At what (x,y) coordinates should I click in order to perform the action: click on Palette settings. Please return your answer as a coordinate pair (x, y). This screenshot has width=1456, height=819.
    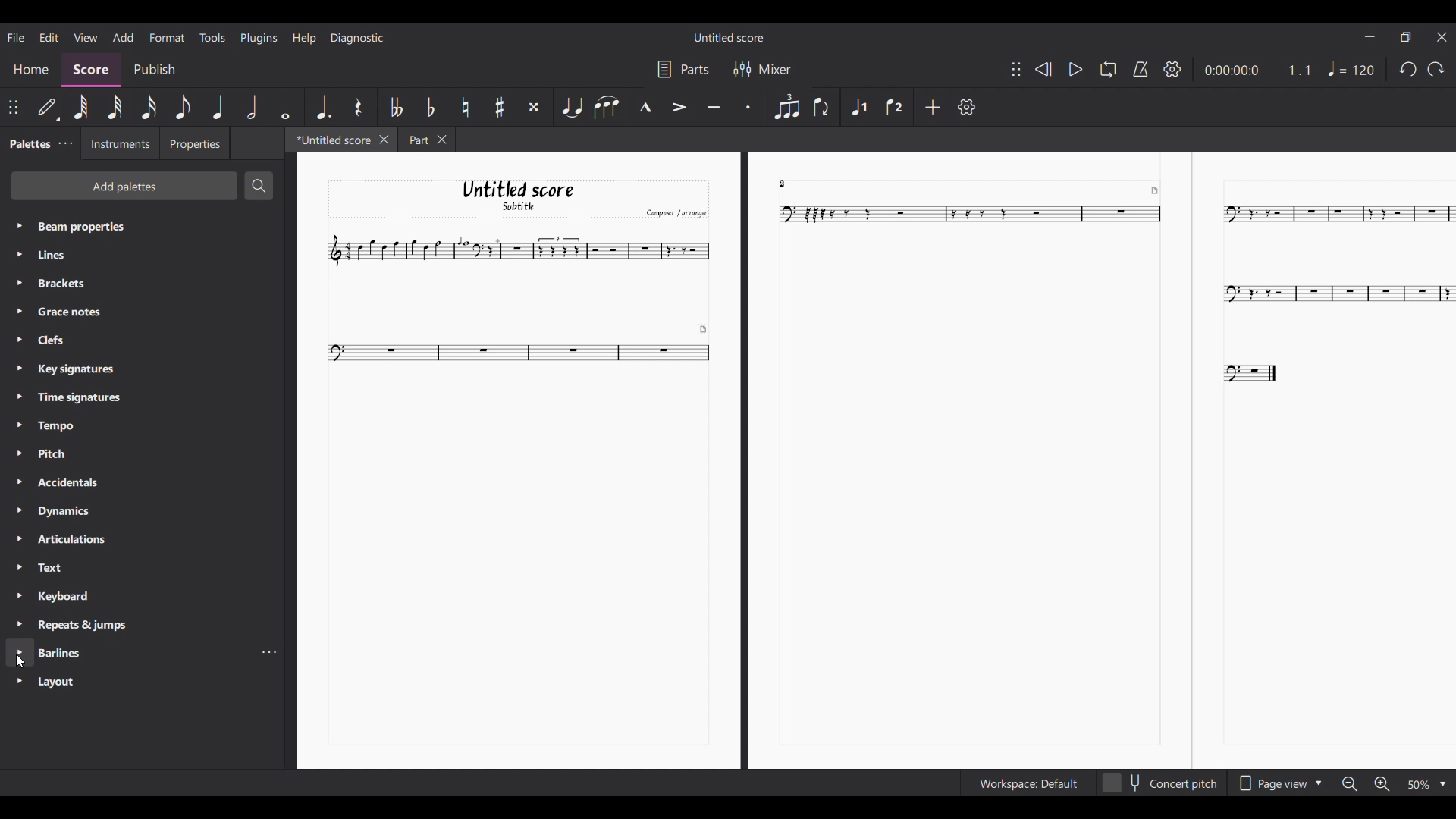
    Looking at the image, I should click on (87, 624).